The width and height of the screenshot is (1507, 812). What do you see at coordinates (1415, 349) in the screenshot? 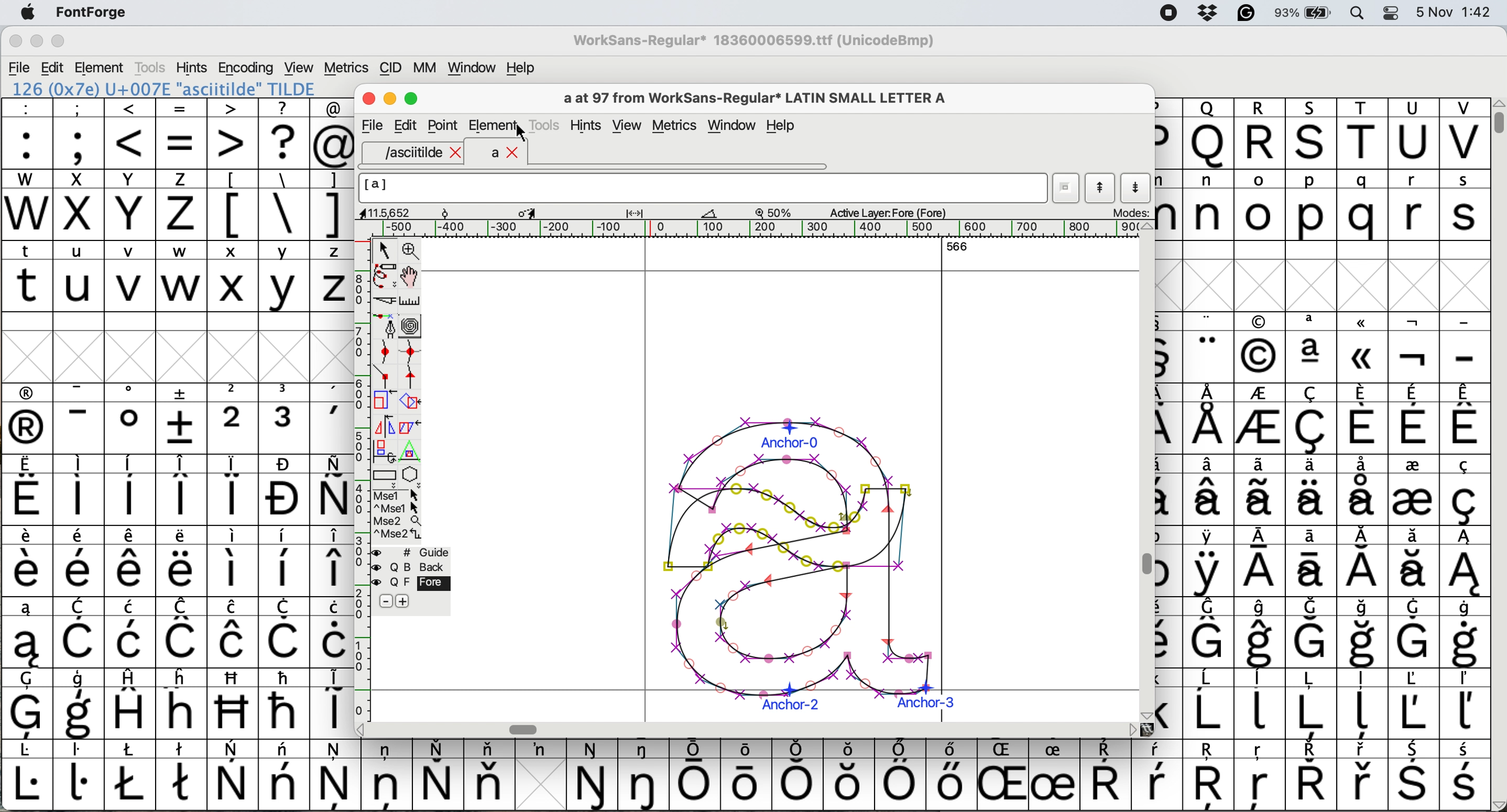
I see `symbol` at bounding box center [1415, 349].